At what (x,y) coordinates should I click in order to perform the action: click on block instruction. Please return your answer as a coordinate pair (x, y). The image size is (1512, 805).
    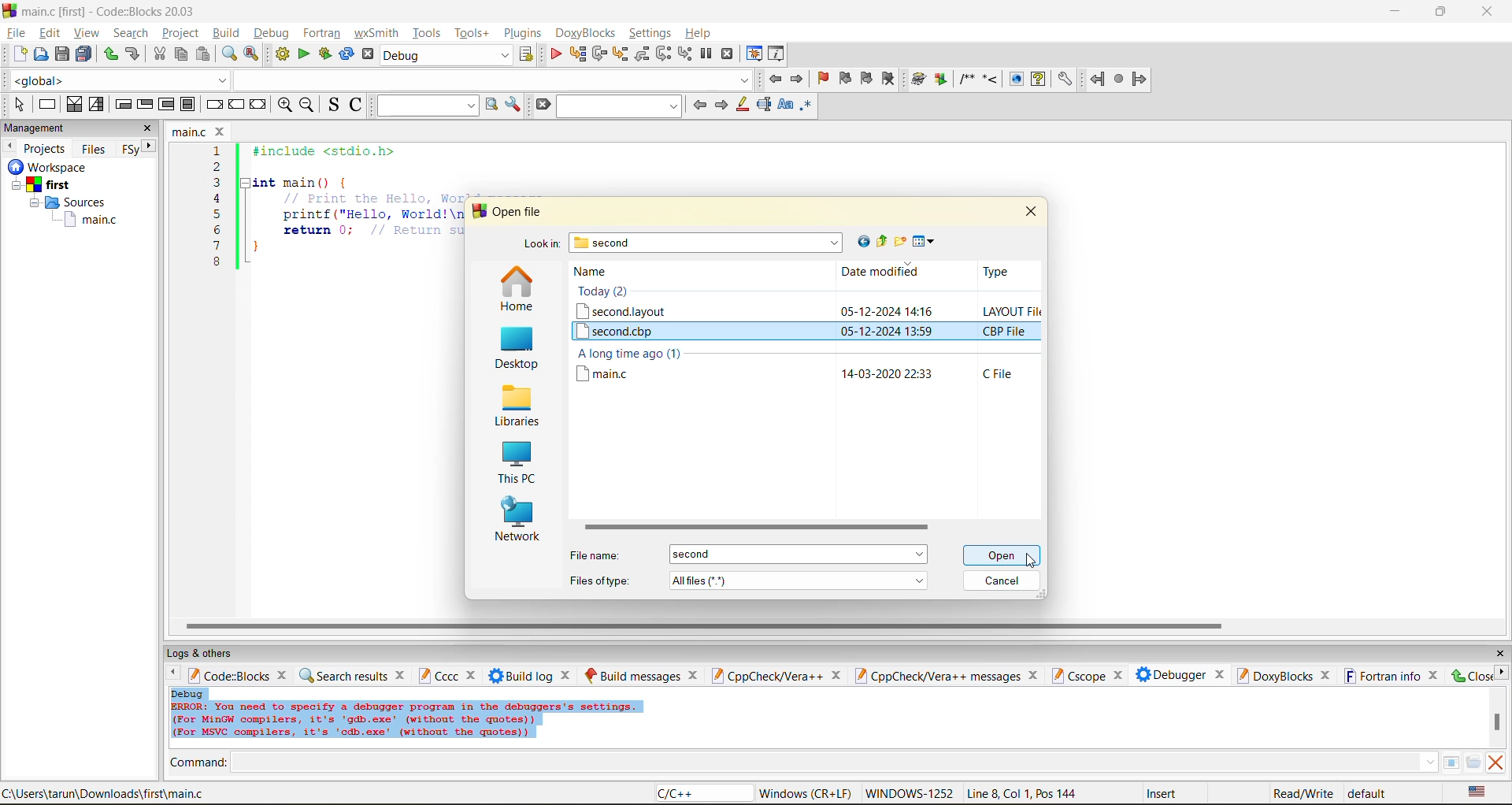
    Looking at the image, I should click on (188, 105).